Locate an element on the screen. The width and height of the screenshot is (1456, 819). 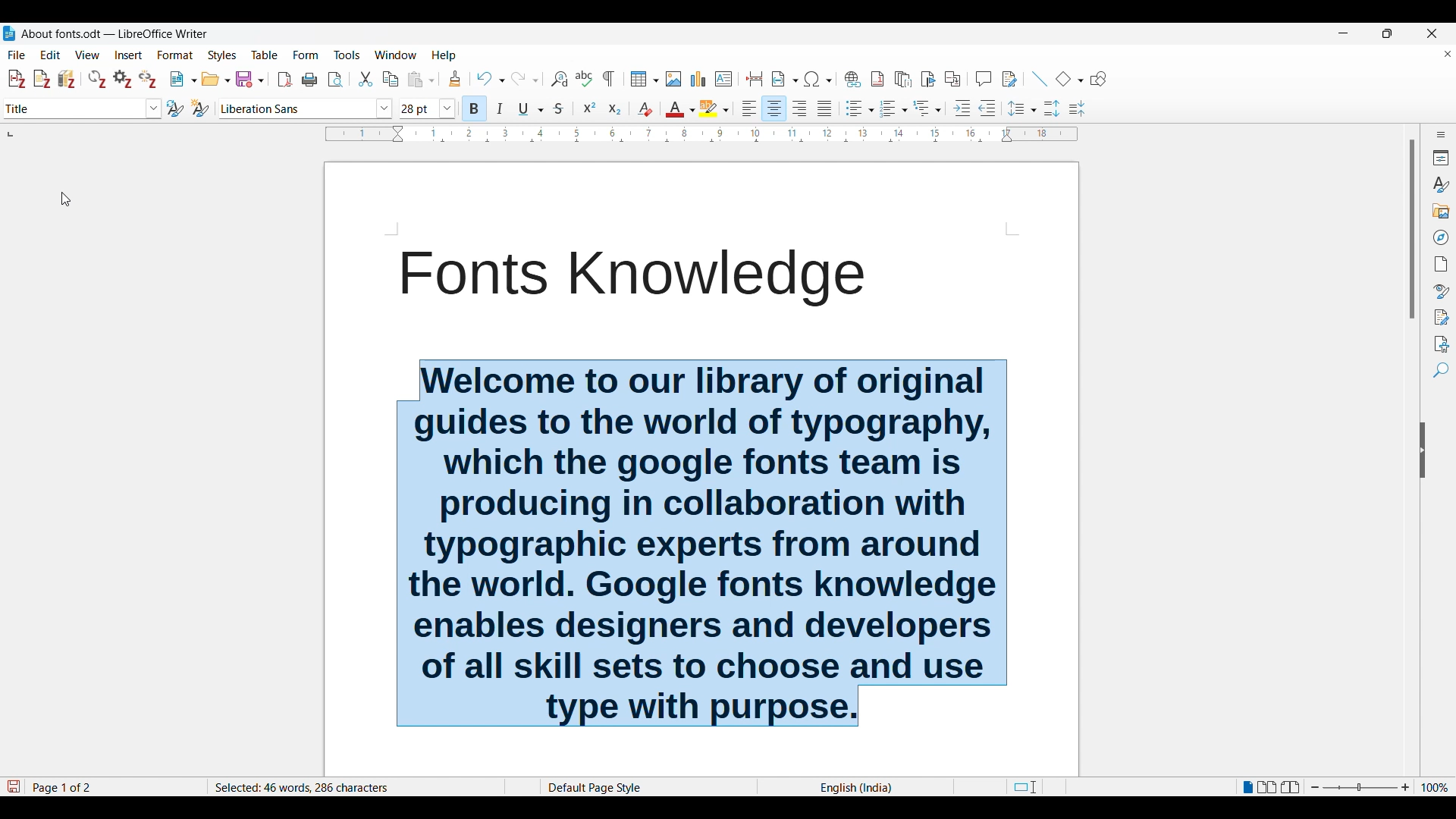
Justified alignment is located at coordinates (824, 108).